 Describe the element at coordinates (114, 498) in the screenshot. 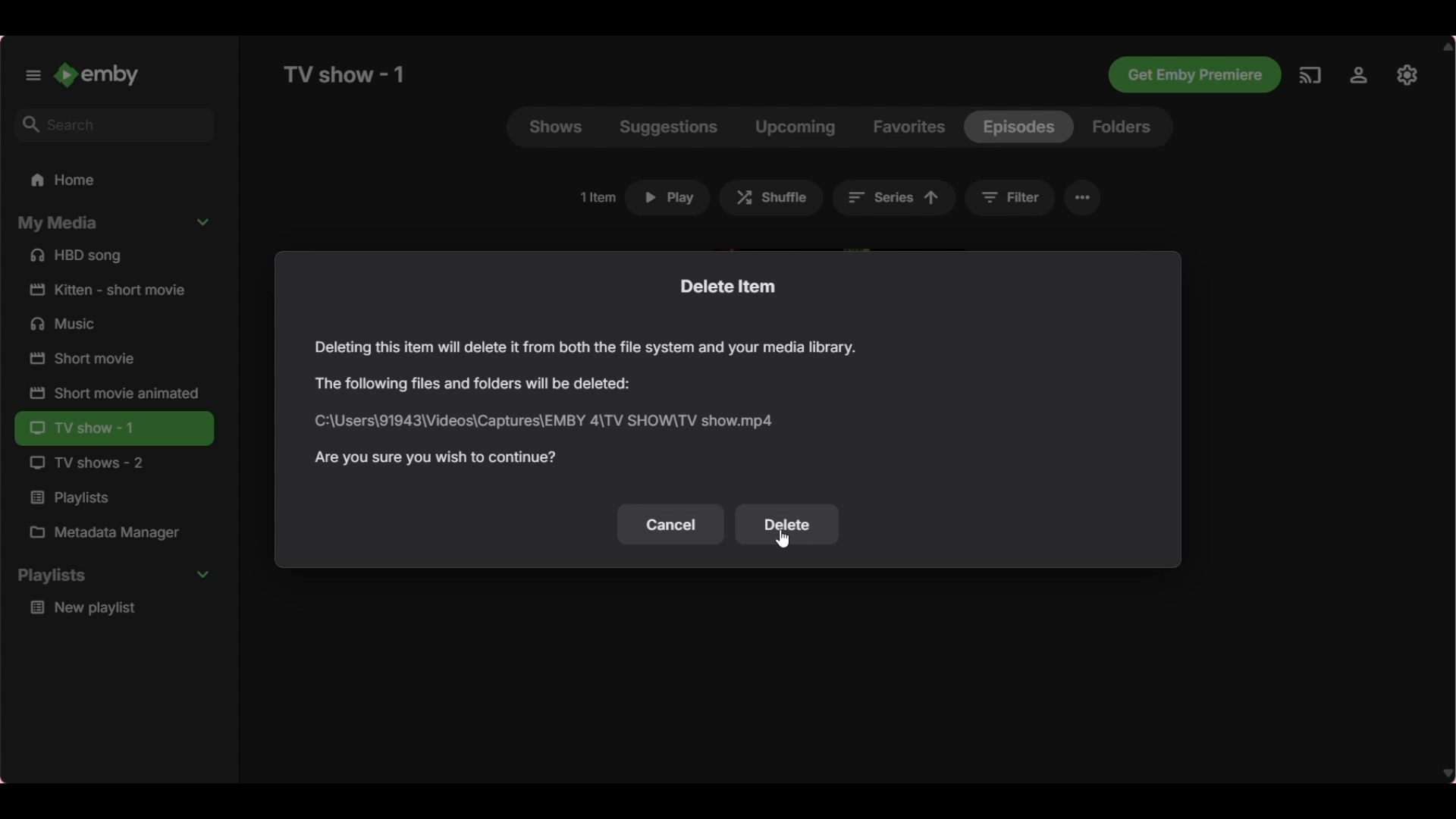

I see `Playlists` at that location.